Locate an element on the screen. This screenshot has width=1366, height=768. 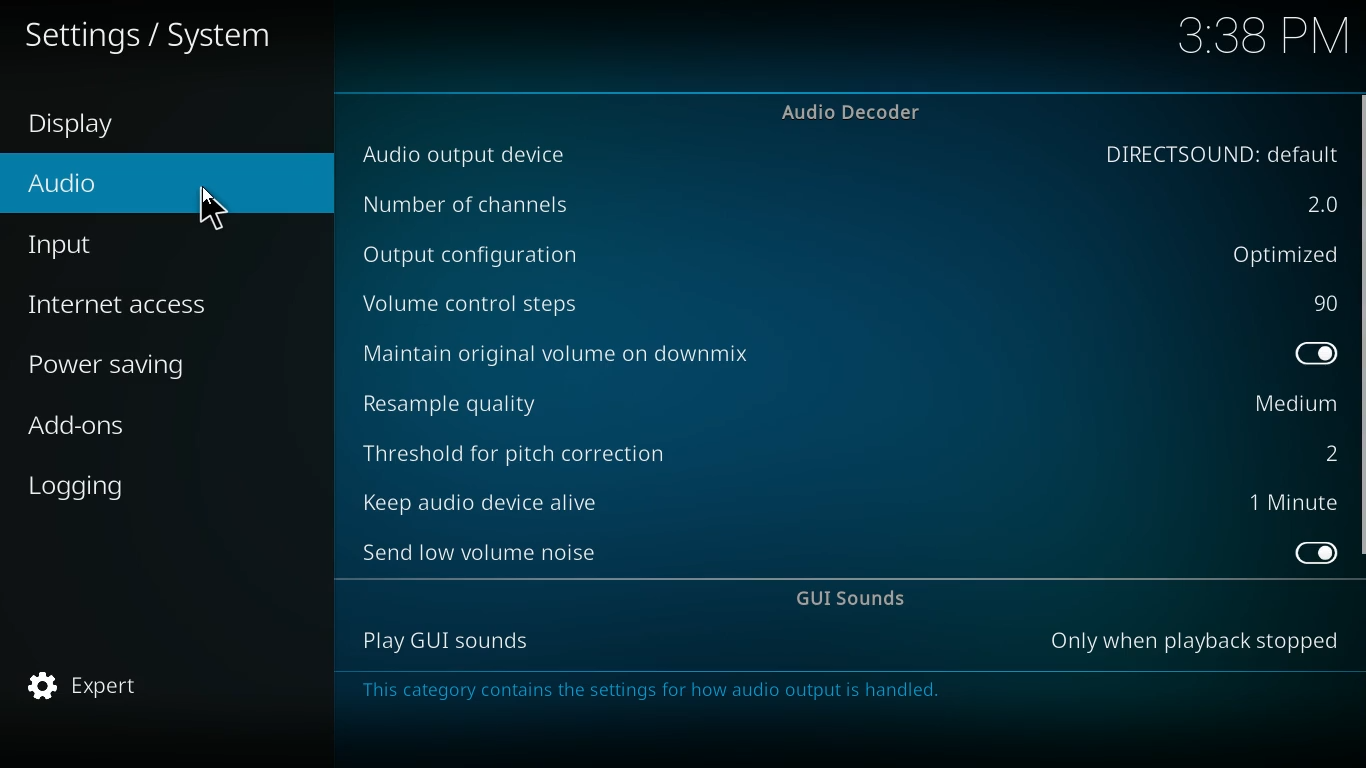
audio decoder is located at coordinates (857, 111).